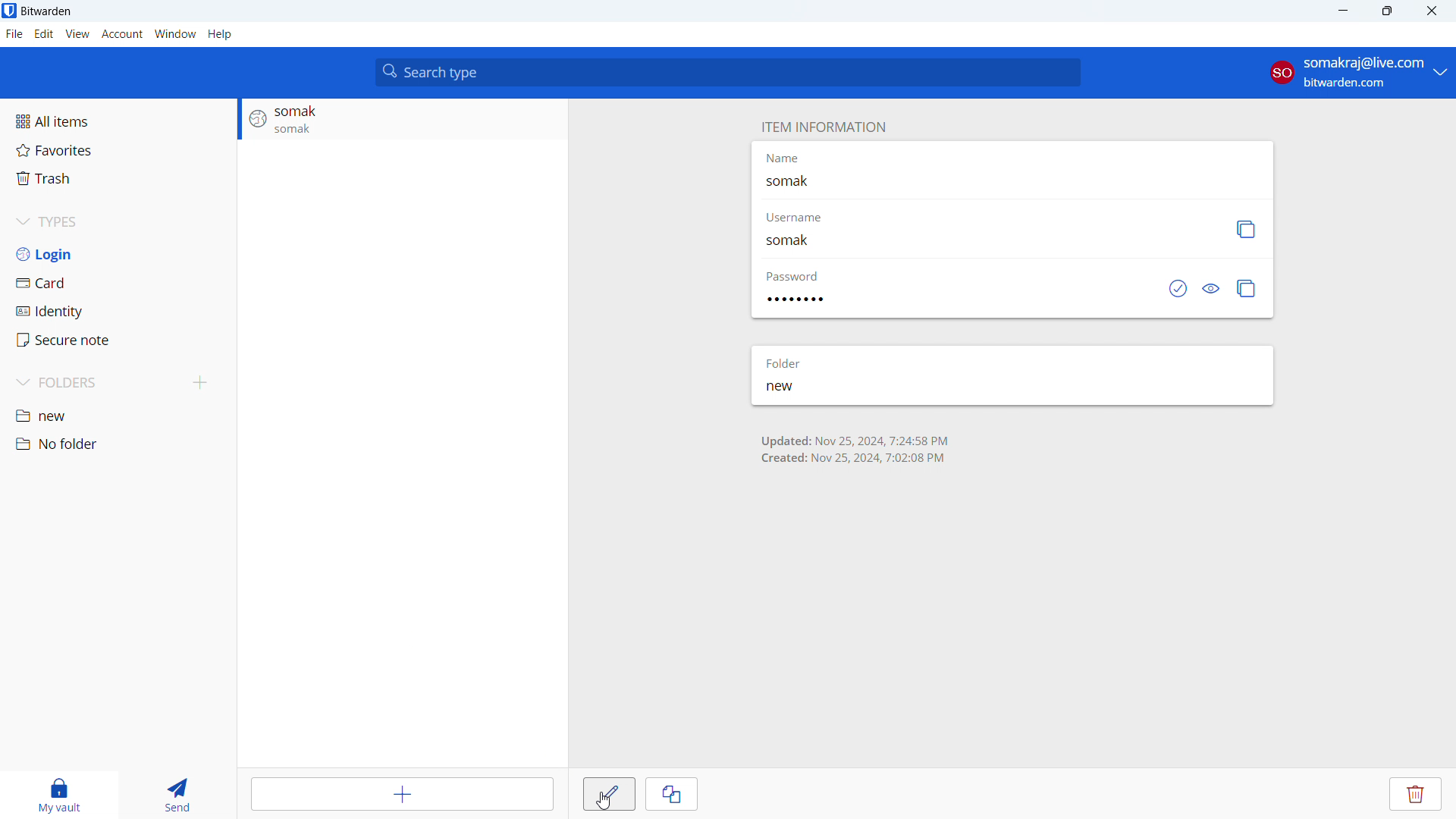 This screenshot has height=819, width=1456. What do you see at coordinates (1386, 11) in the screenshot?
I see `maximize` at bounding box center [1386, 11].